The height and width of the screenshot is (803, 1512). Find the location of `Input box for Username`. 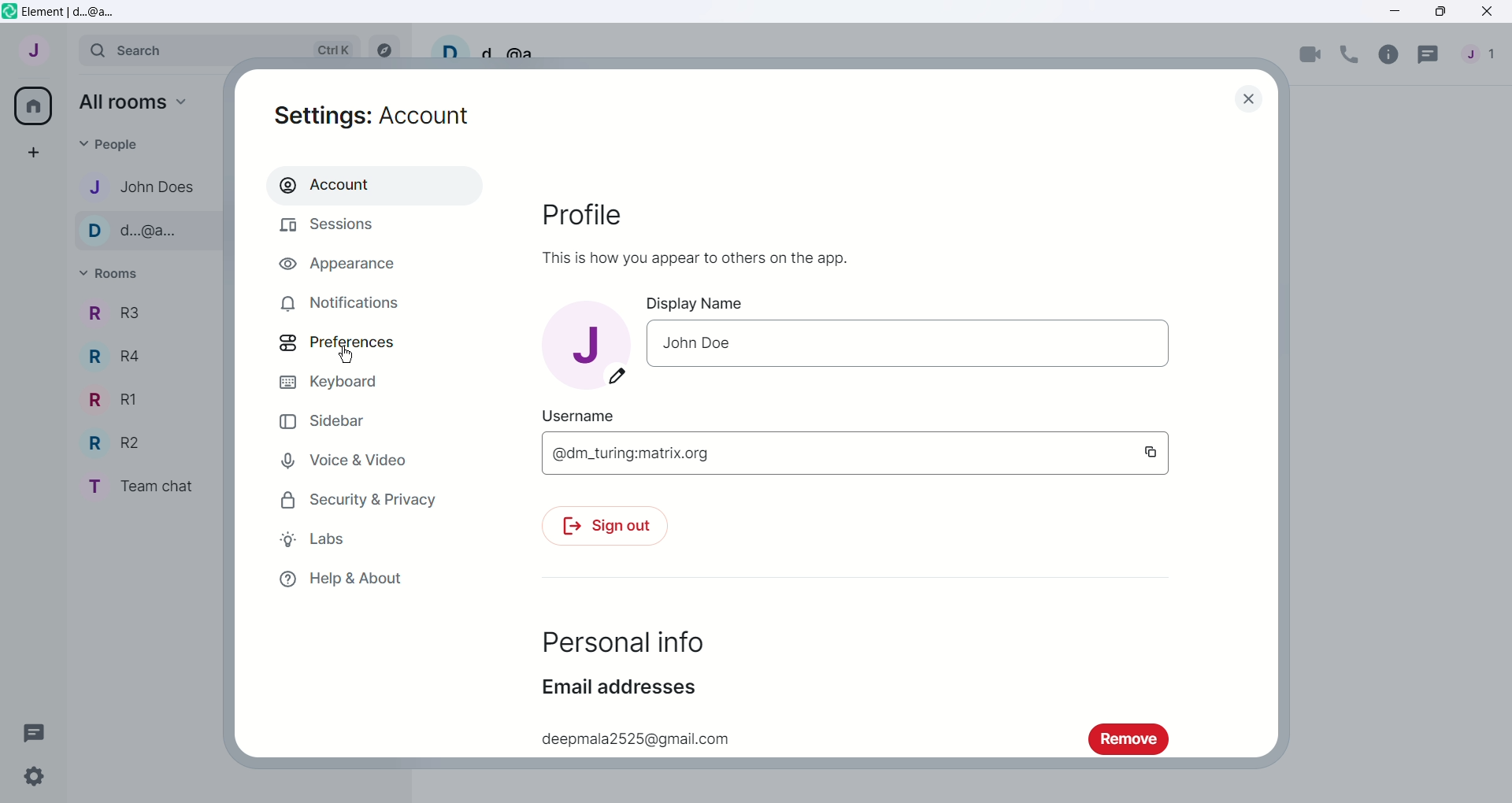

Input box for Username is located at coordinates (926, 453).